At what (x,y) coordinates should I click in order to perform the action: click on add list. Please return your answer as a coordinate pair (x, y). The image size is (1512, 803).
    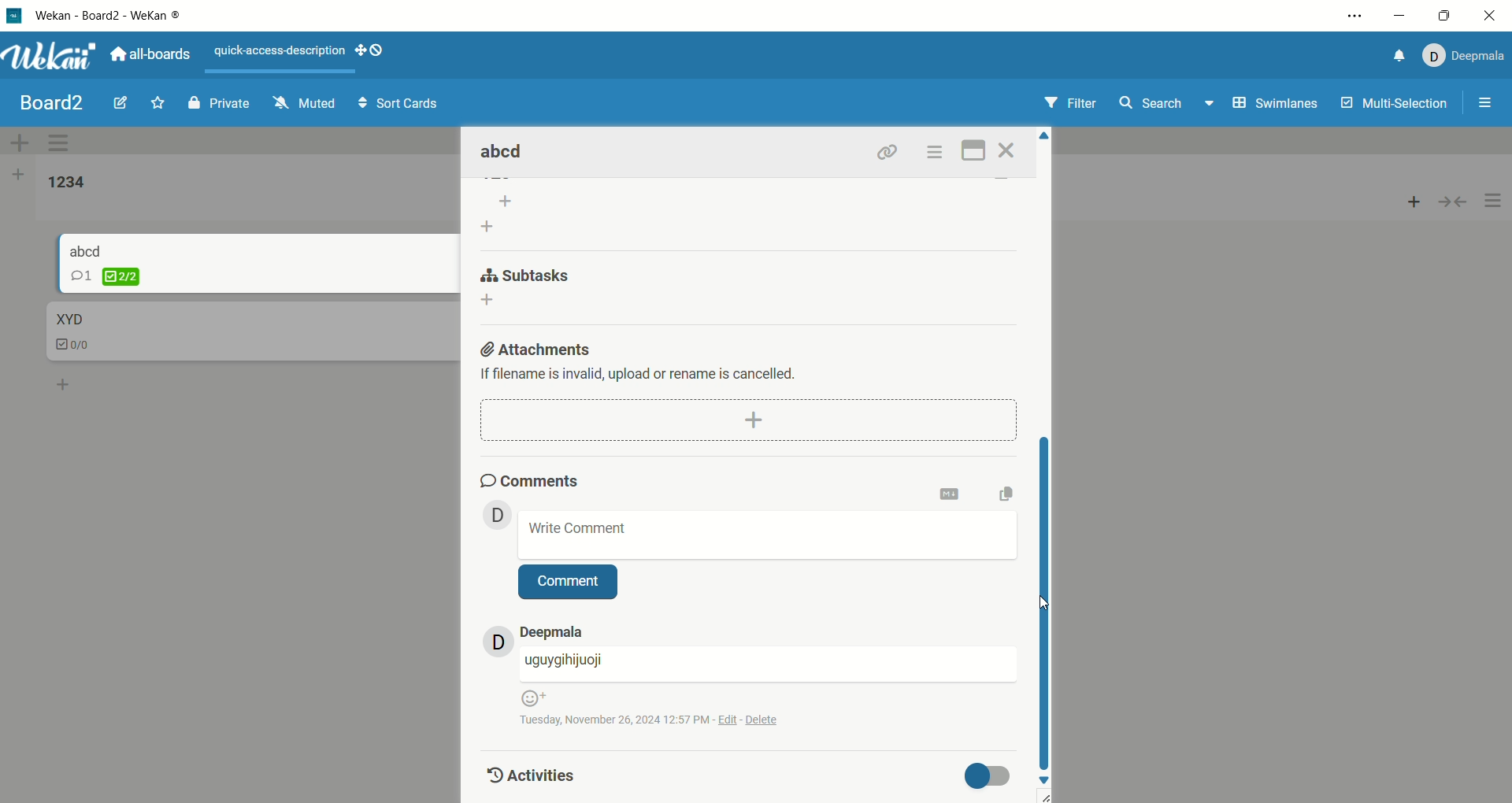
    Looking at the image, I should click on (500, 215).